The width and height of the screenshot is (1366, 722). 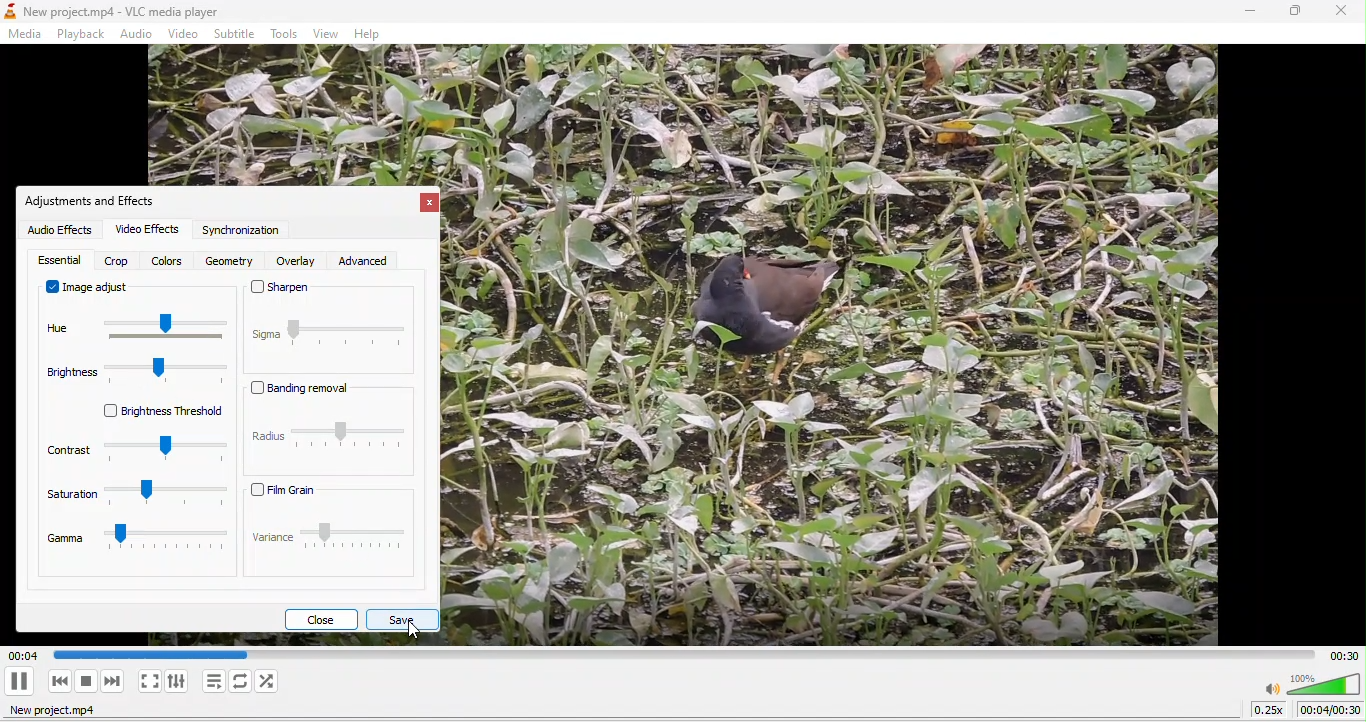 I want to click on Play duration, so click(x=1342, y=654).